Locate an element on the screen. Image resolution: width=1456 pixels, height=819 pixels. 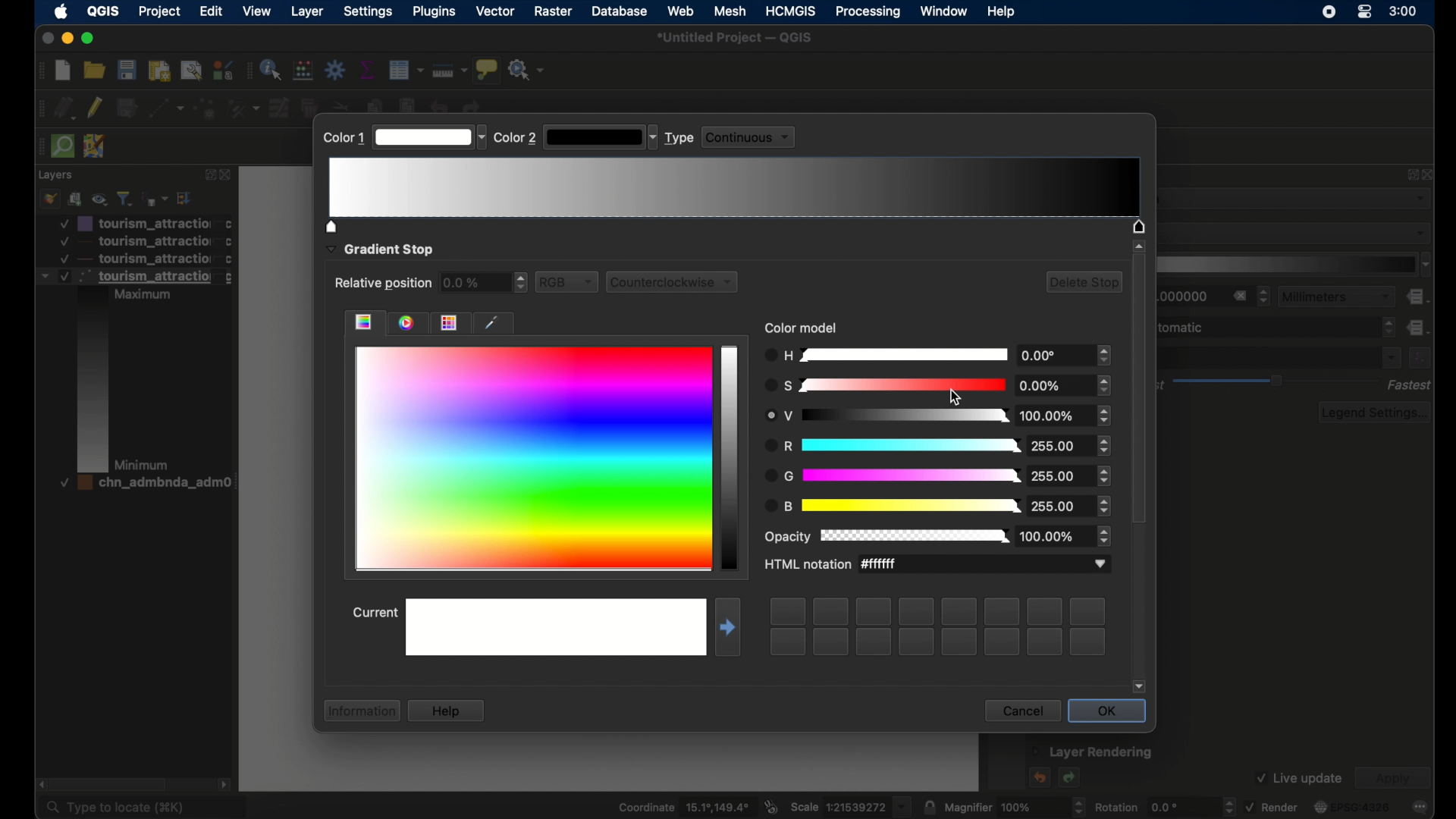
layer is located at coordinates (307, 12).